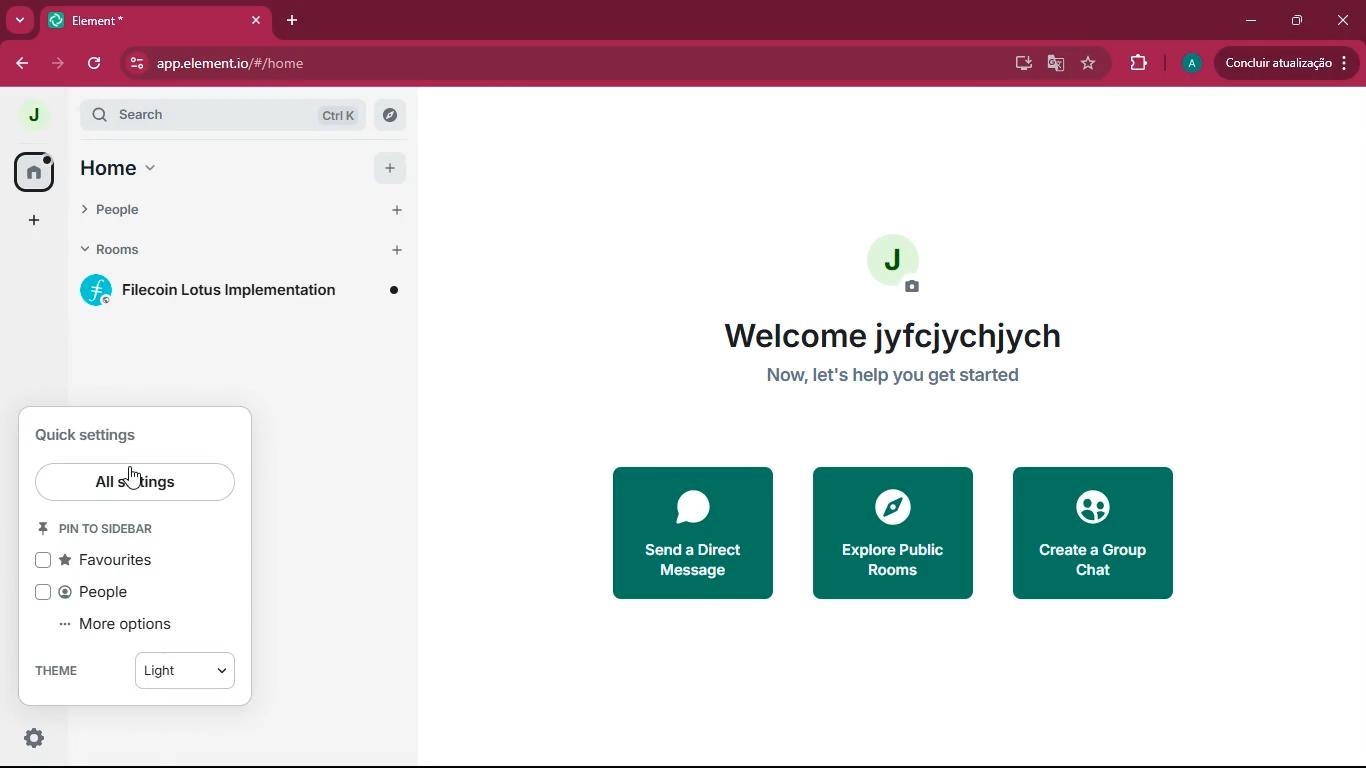  What do you see at coordinates (245, 289) in the screenshot?
I see `Filecoin Lotus Implementation` at bounding box center [245, 289].